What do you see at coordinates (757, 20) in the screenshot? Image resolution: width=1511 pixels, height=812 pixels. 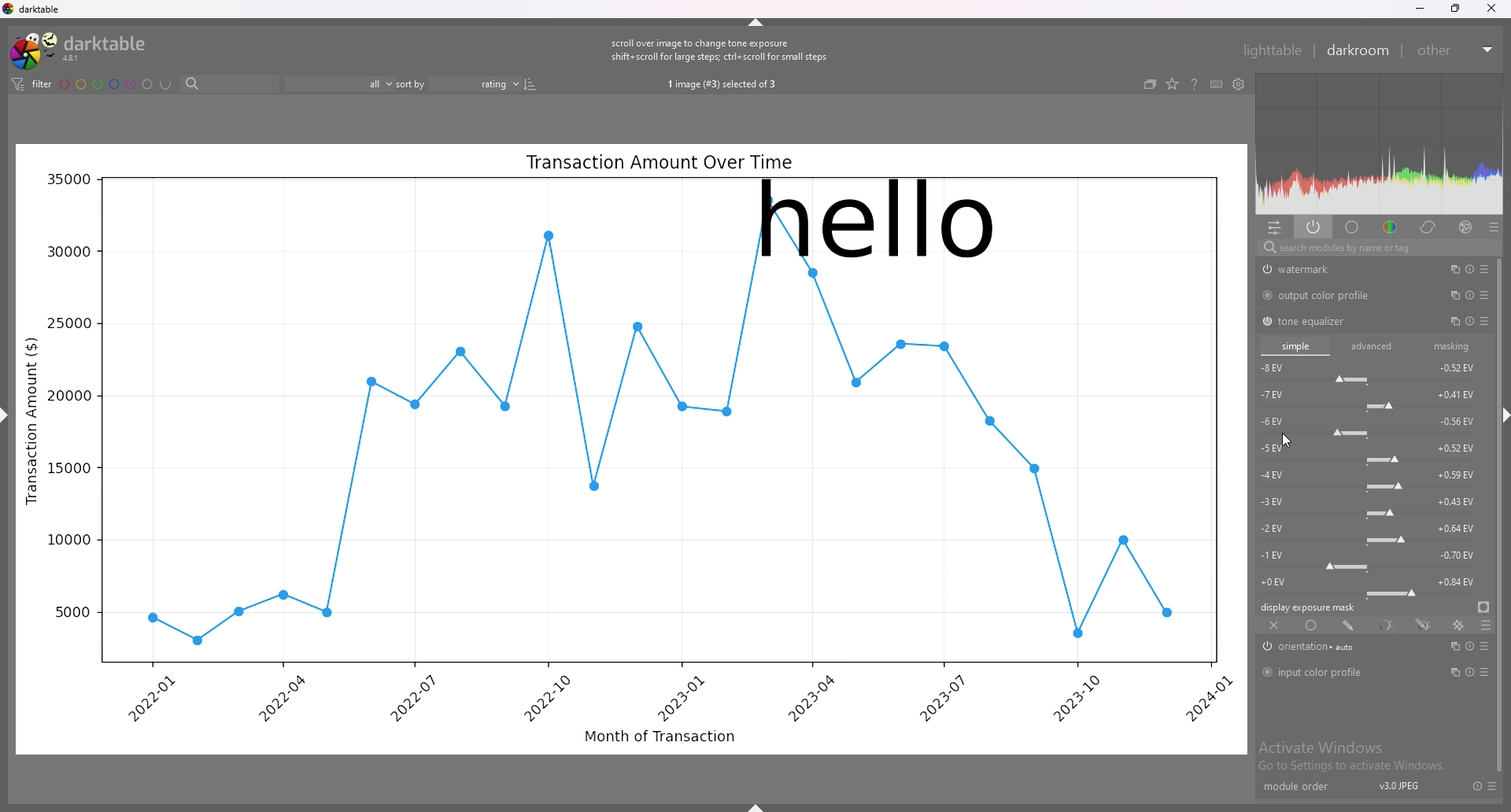 I see `hide` at bounding box center [757, 20].